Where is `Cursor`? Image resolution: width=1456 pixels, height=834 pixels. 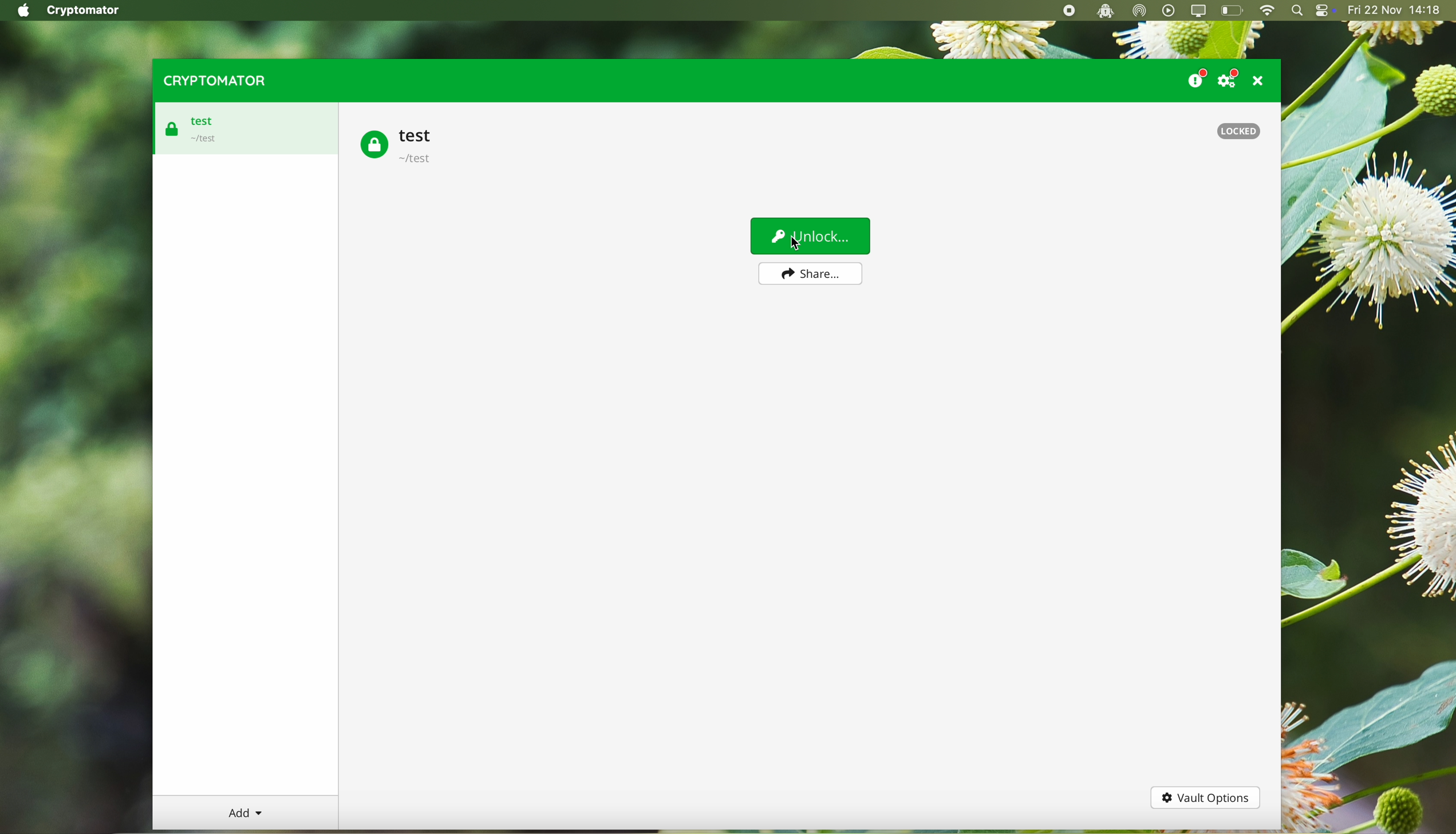 Cursor is located at coordinates (796, 243).